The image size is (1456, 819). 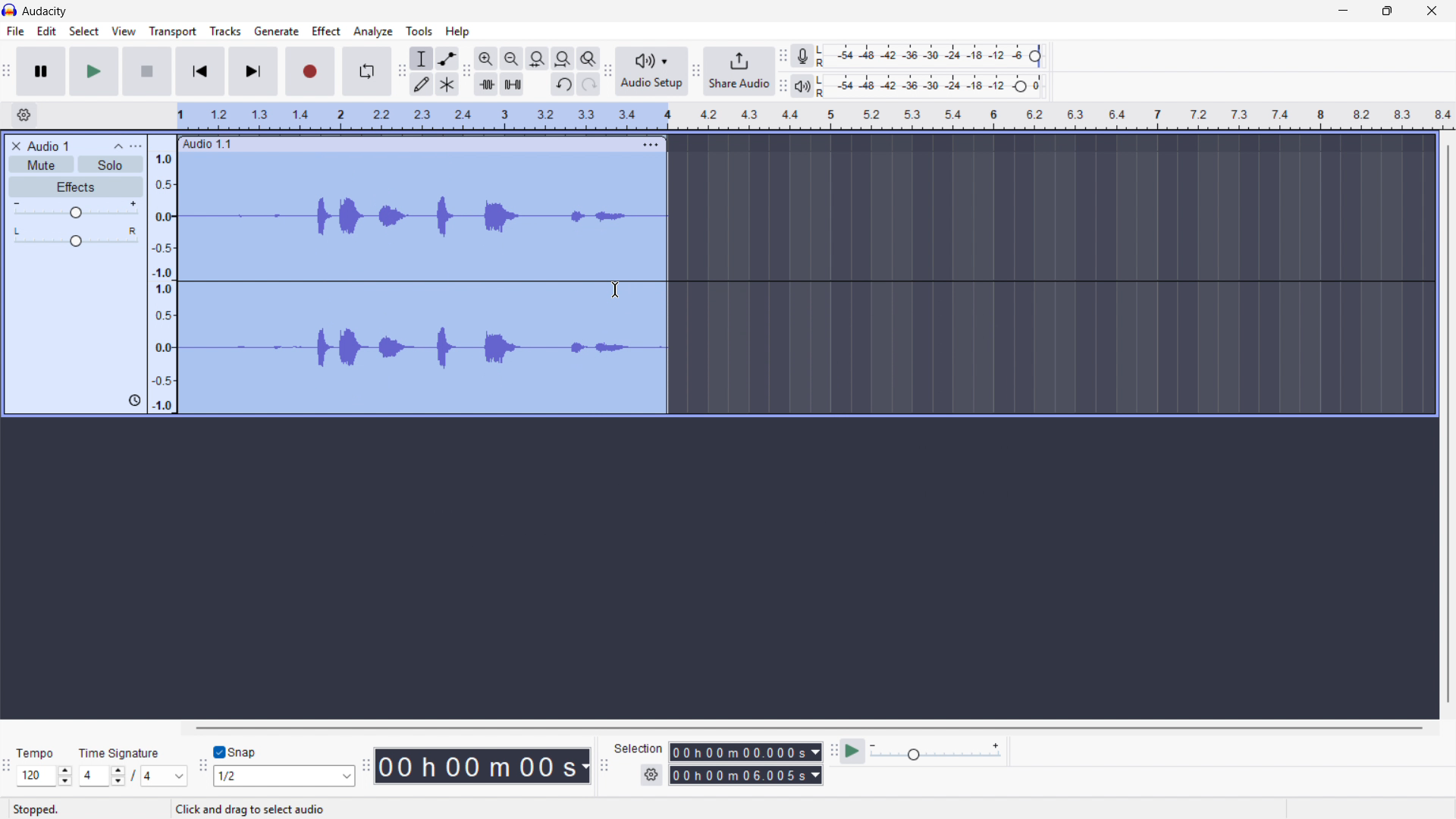 I want to click on Playback metre toolbar, so click(x=783, y=86).